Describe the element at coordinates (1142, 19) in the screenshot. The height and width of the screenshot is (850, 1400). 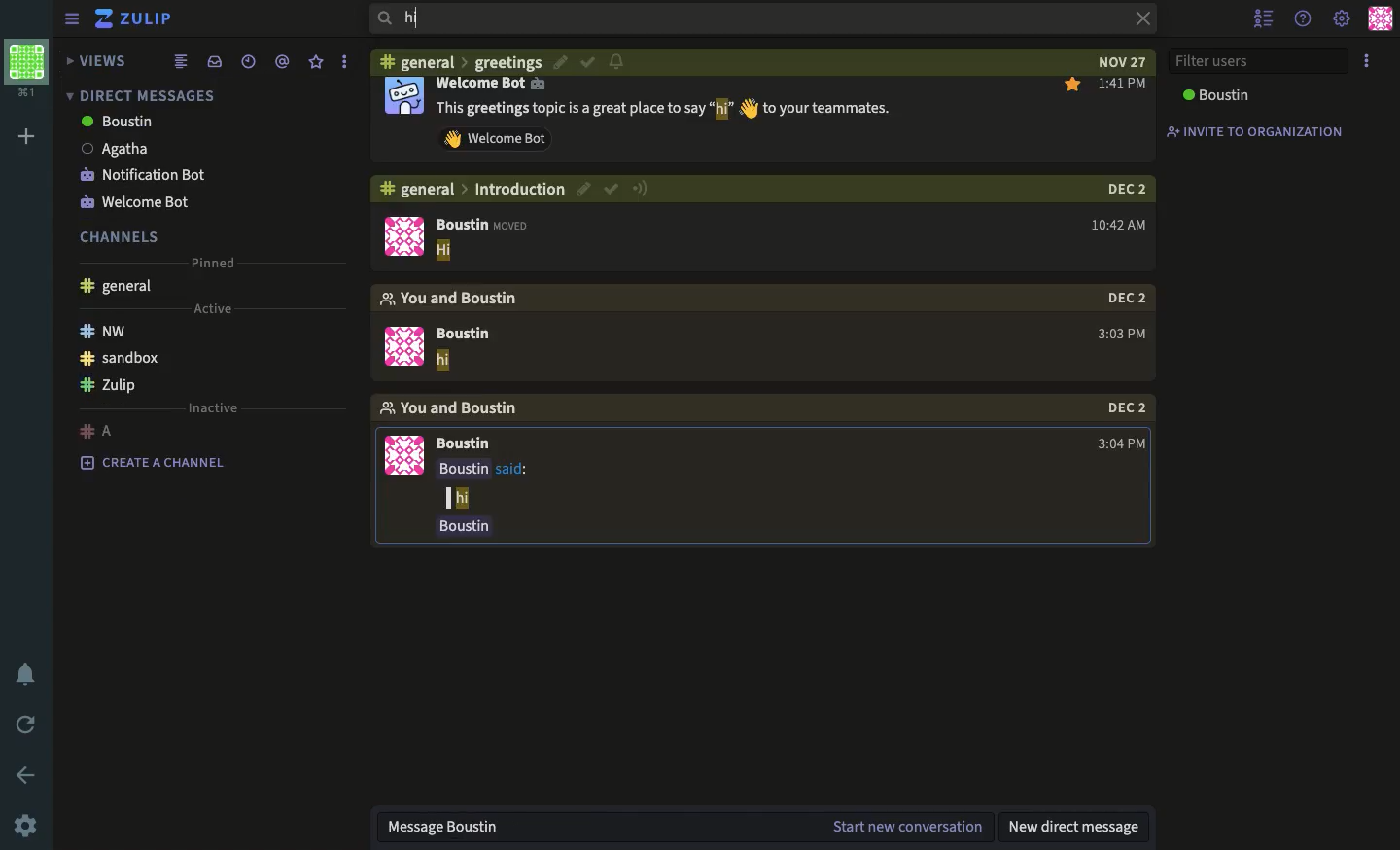
I see `close` at that location.